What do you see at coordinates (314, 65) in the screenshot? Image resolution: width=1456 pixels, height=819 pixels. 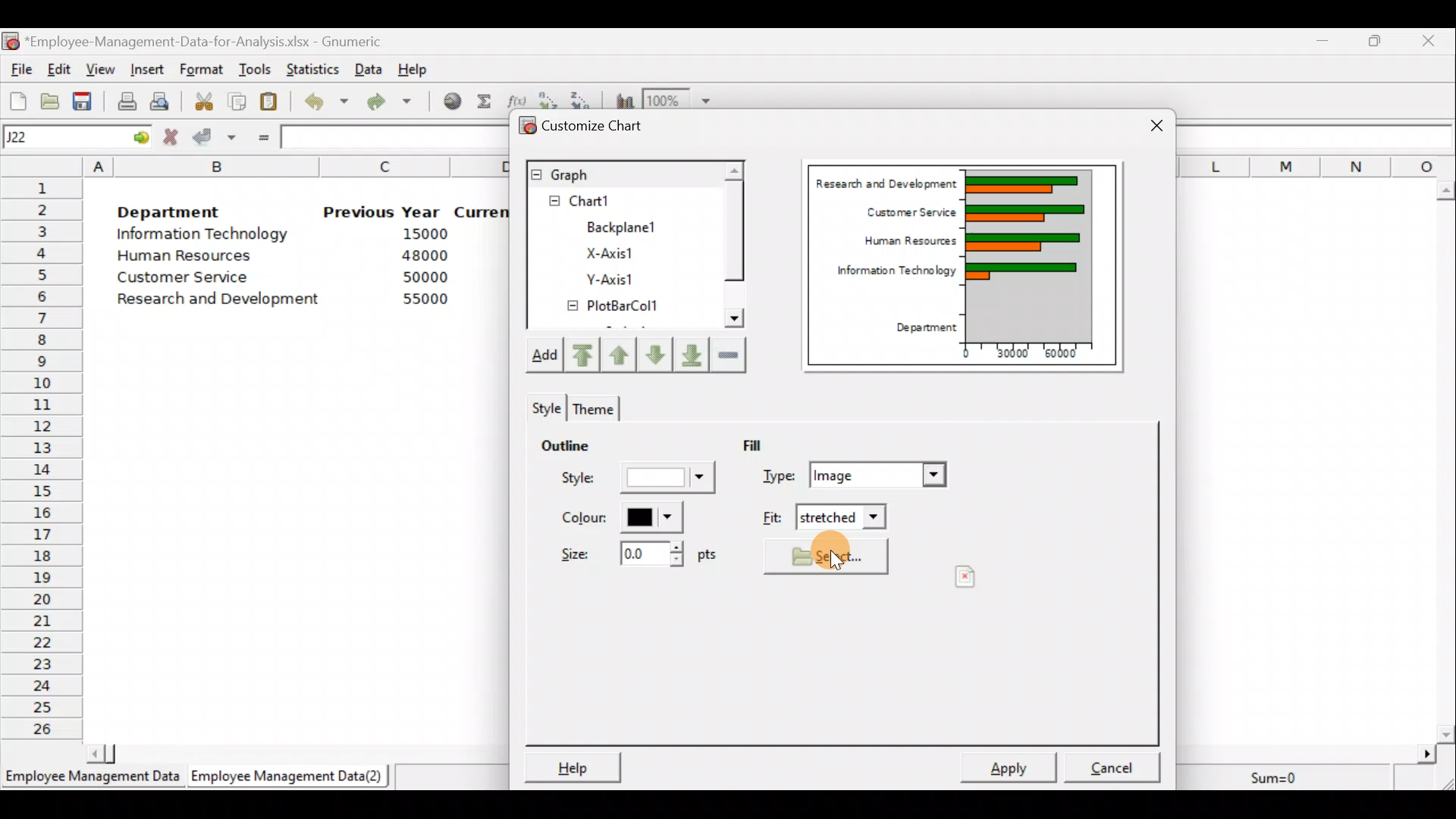 I see `Statistics` at bounding box center [314, 65].